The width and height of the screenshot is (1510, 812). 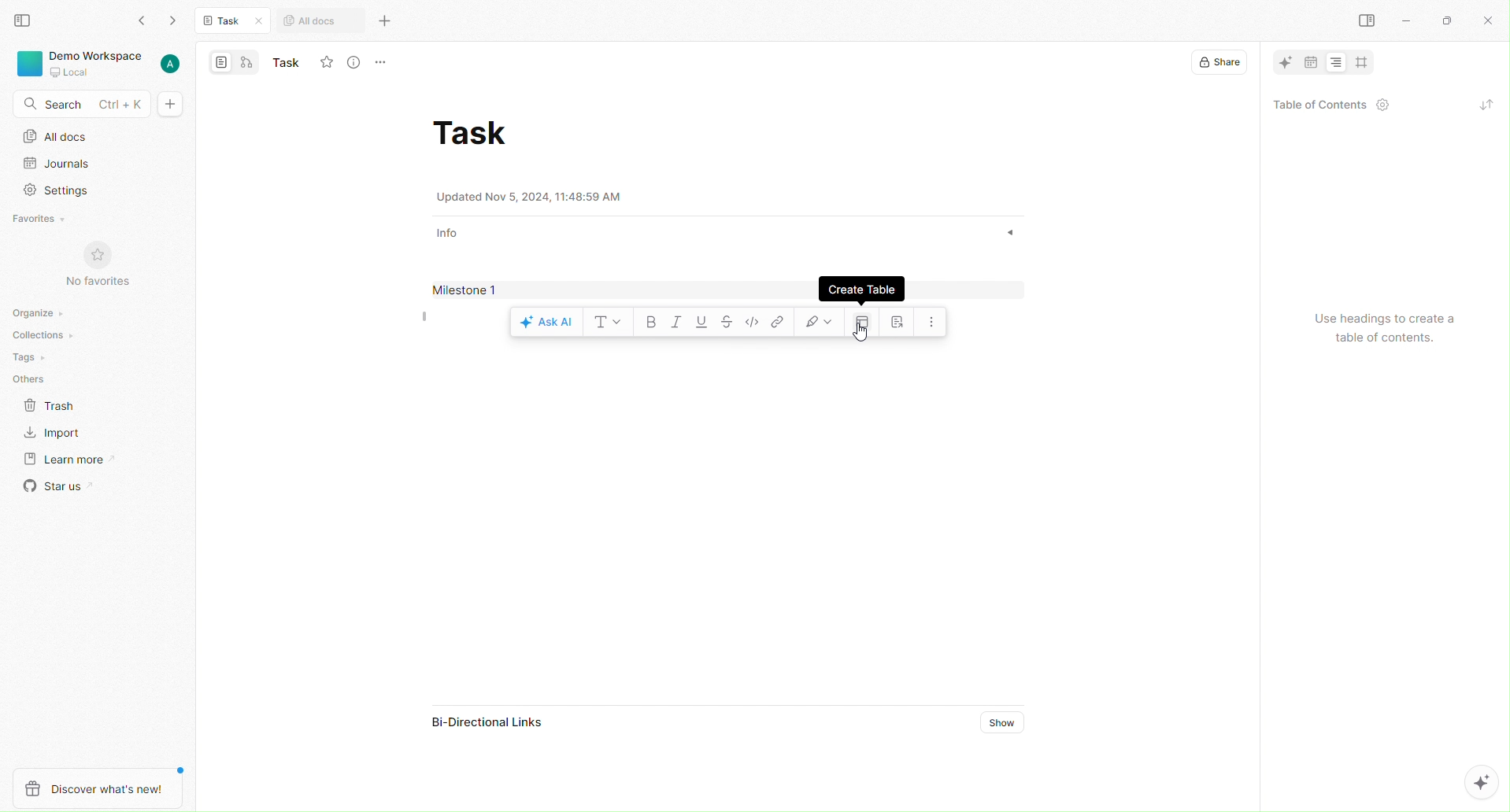 What do you see at coordinates (1219, 63) in the screenshot?
I see `Share` at bounding box center [1219, 63].